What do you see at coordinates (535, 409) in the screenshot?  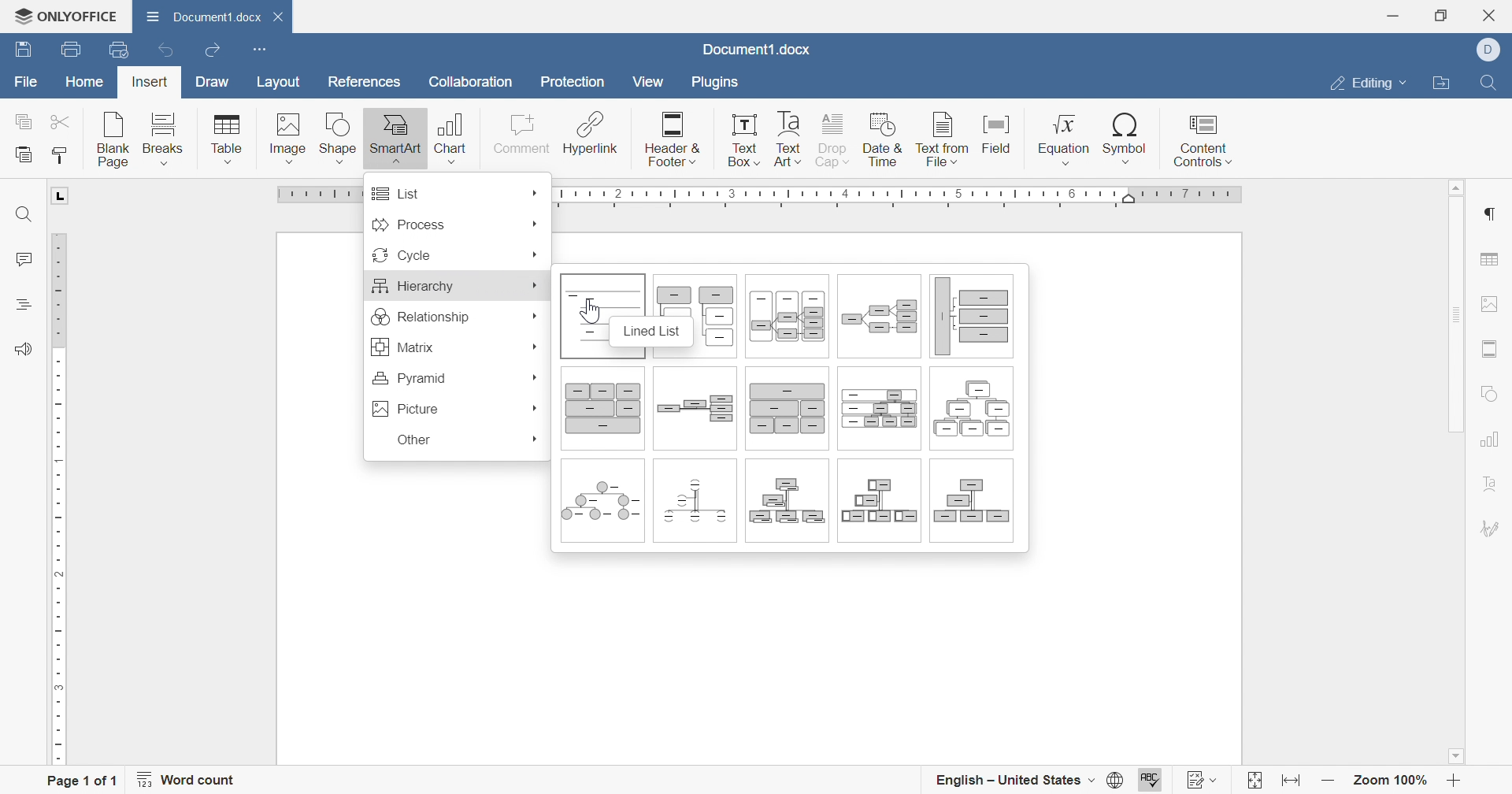 I see `More` at bounding box center [535, 409].